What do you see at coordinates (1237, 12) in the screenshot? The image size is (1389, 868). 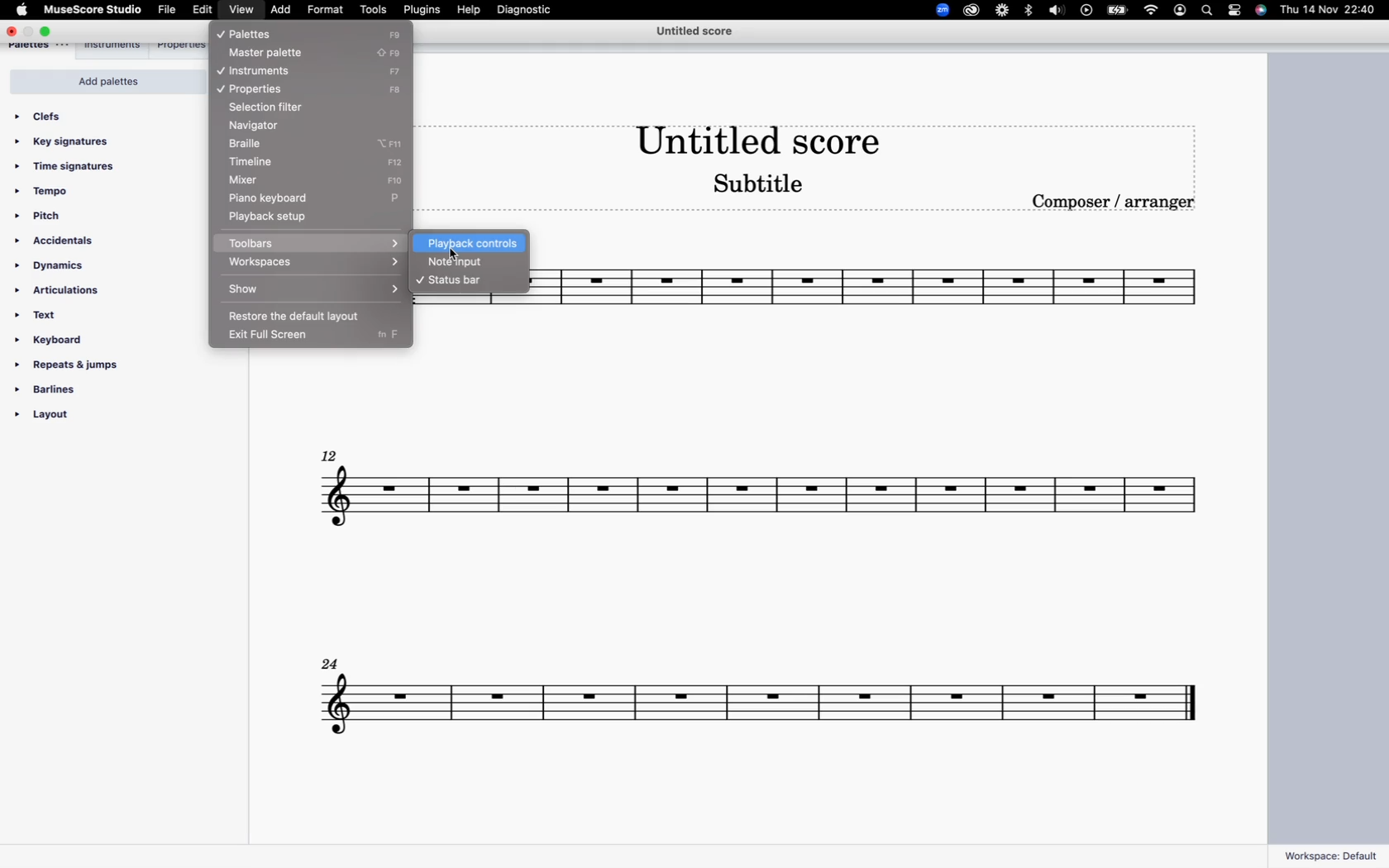 I see `settings` at bounding box center [1237, 12].